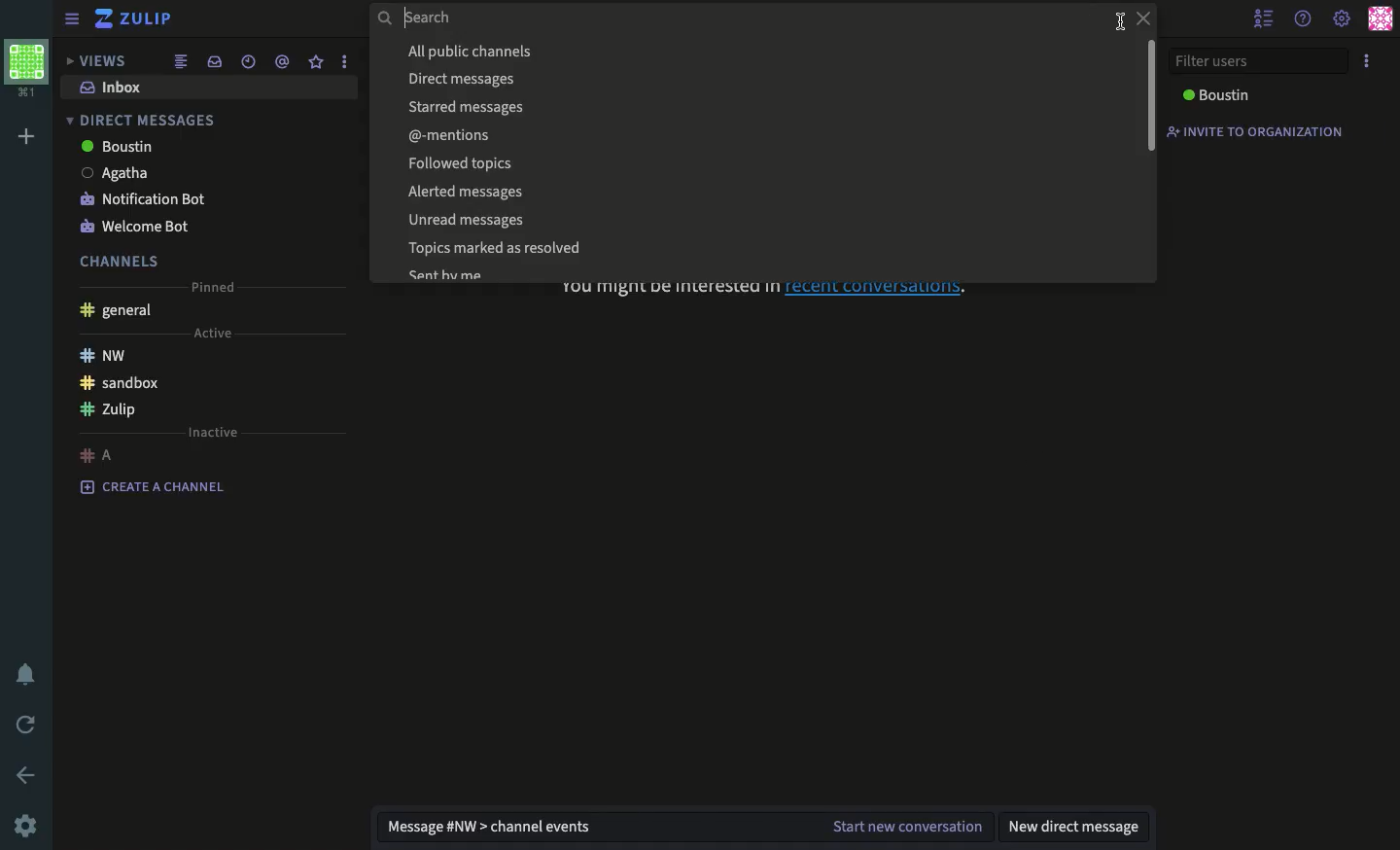 This screenshot has height=850, width=1400. What do you see at coordinates (214, 431) in the screenshot?
I see `inactive` at bounding box center [214, 431].